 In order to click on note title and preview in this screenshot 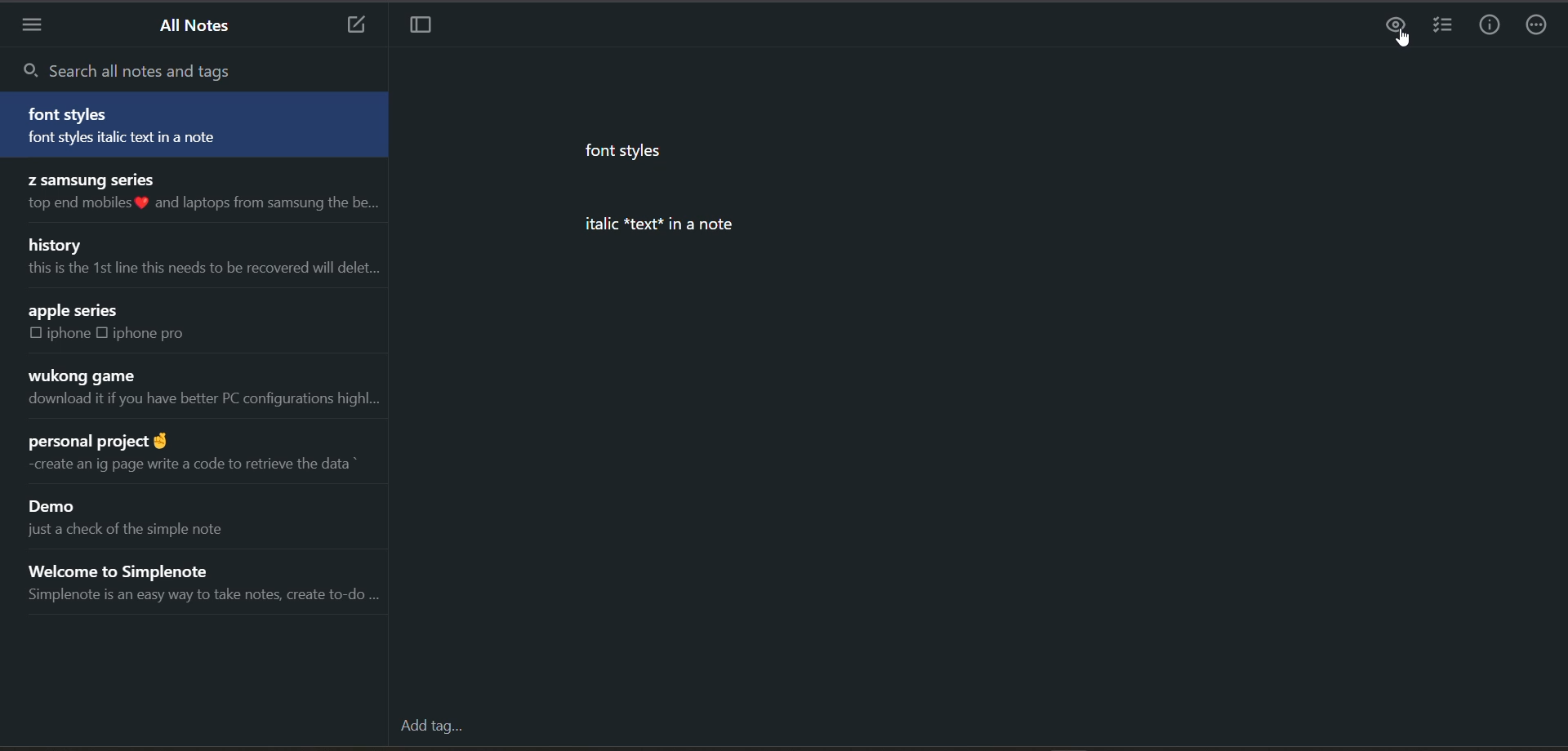, I will do `click(145, 516)`.